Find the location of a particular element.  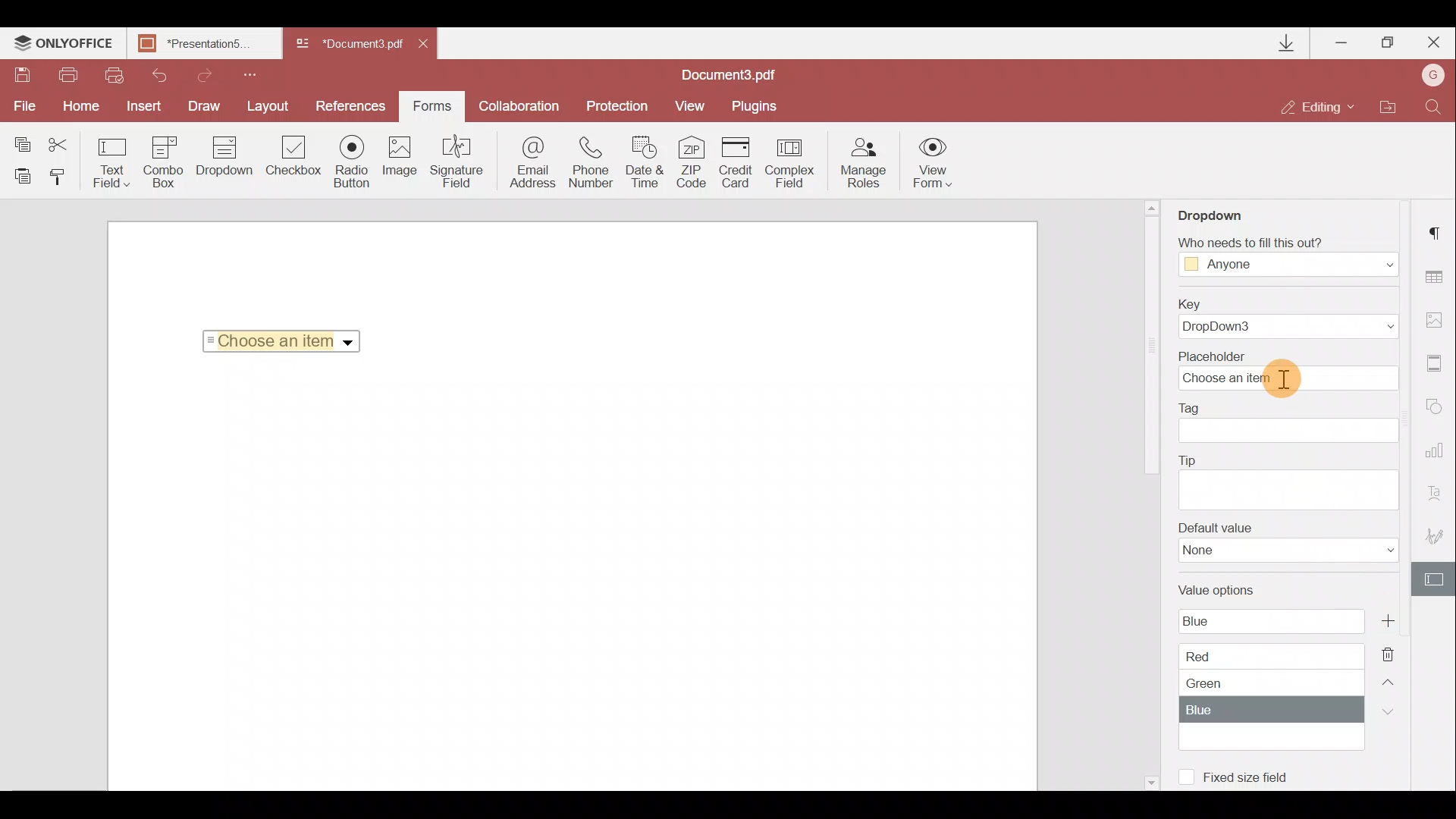

Customize quick access toolbar is located at coordinates (256, 74).